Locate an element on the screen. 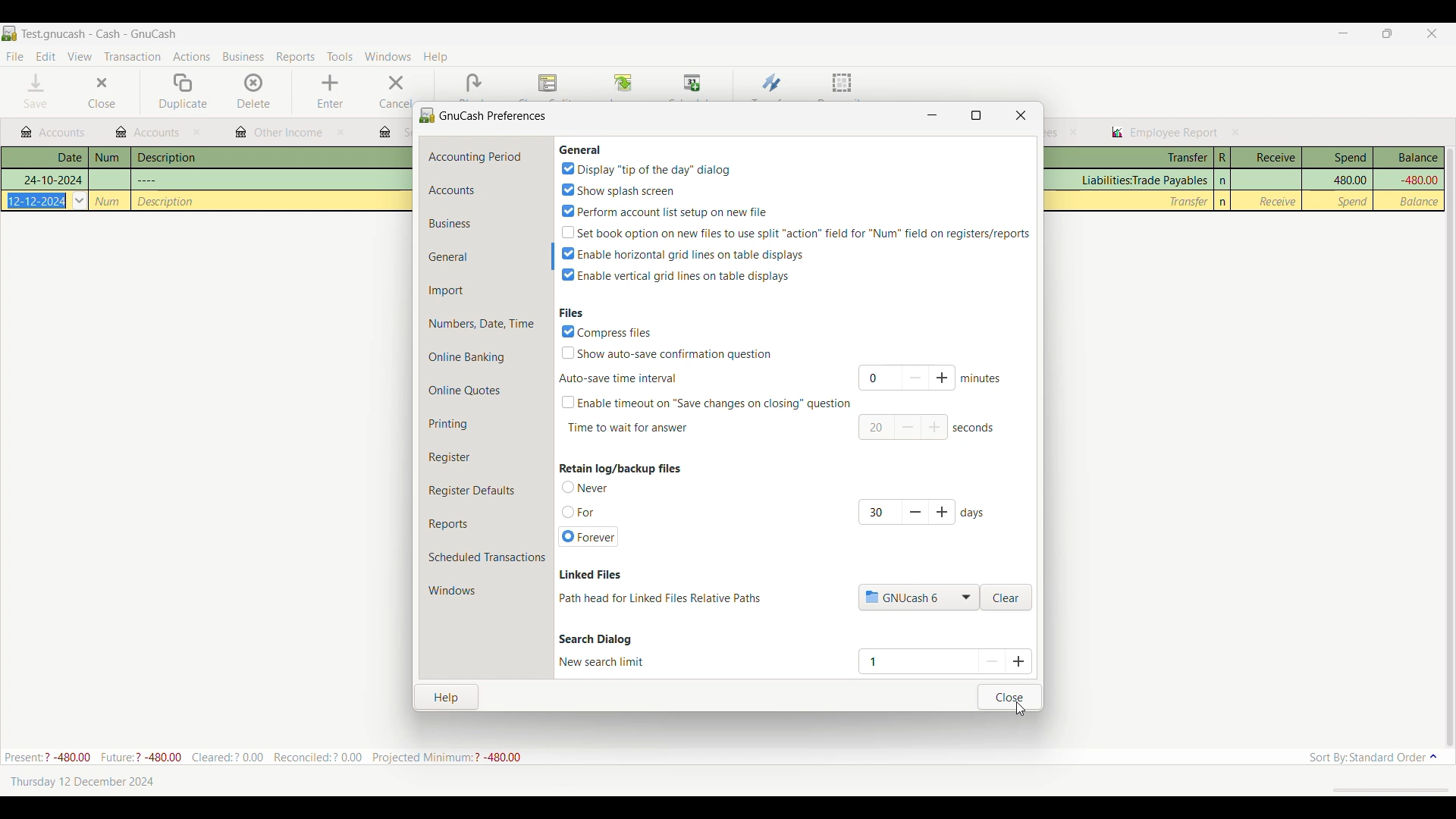 The image size is (1456, 819). Other budgets and reports is located at coordinates (279, 133).